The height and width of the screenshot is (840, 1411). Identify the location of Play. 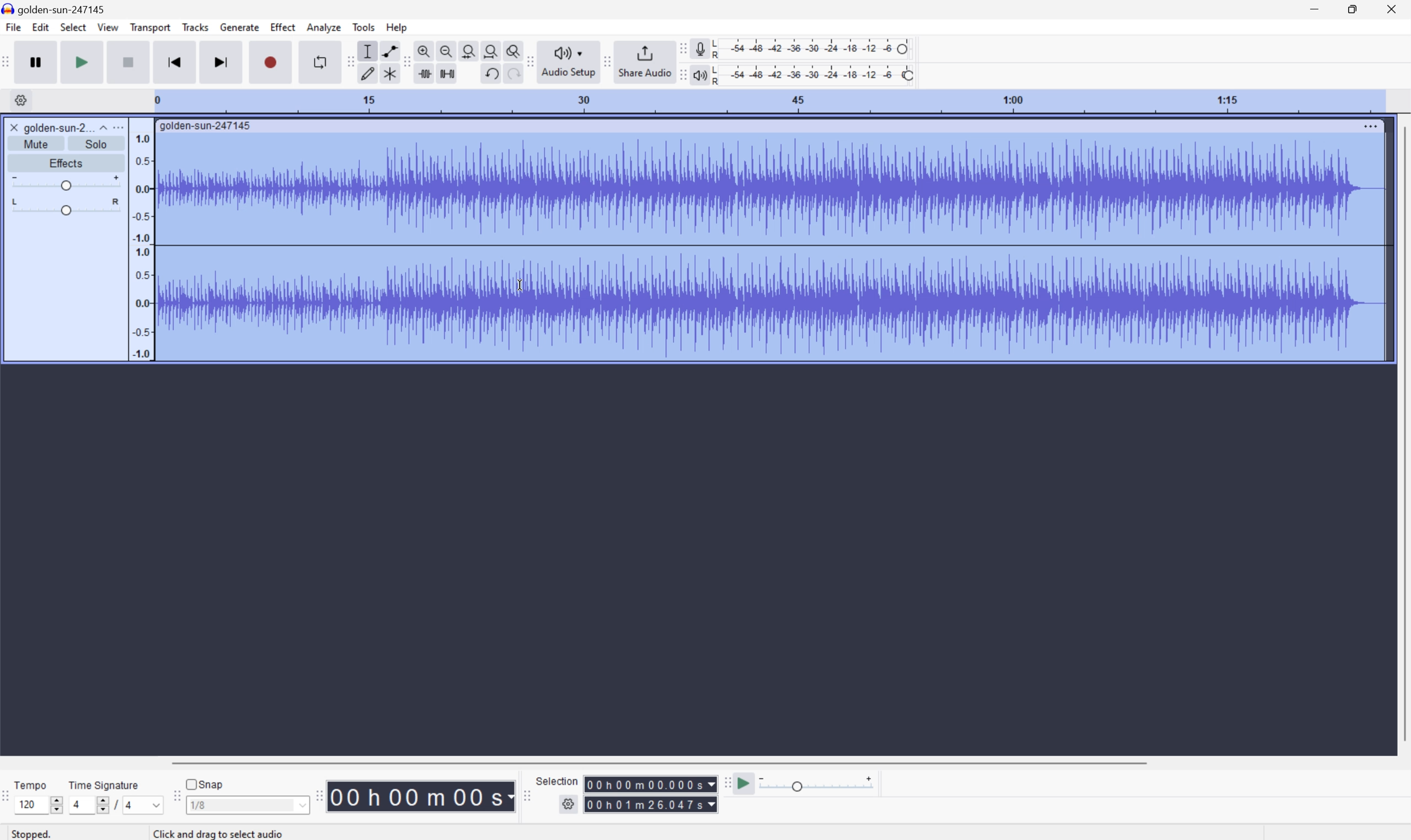
(82, 61).